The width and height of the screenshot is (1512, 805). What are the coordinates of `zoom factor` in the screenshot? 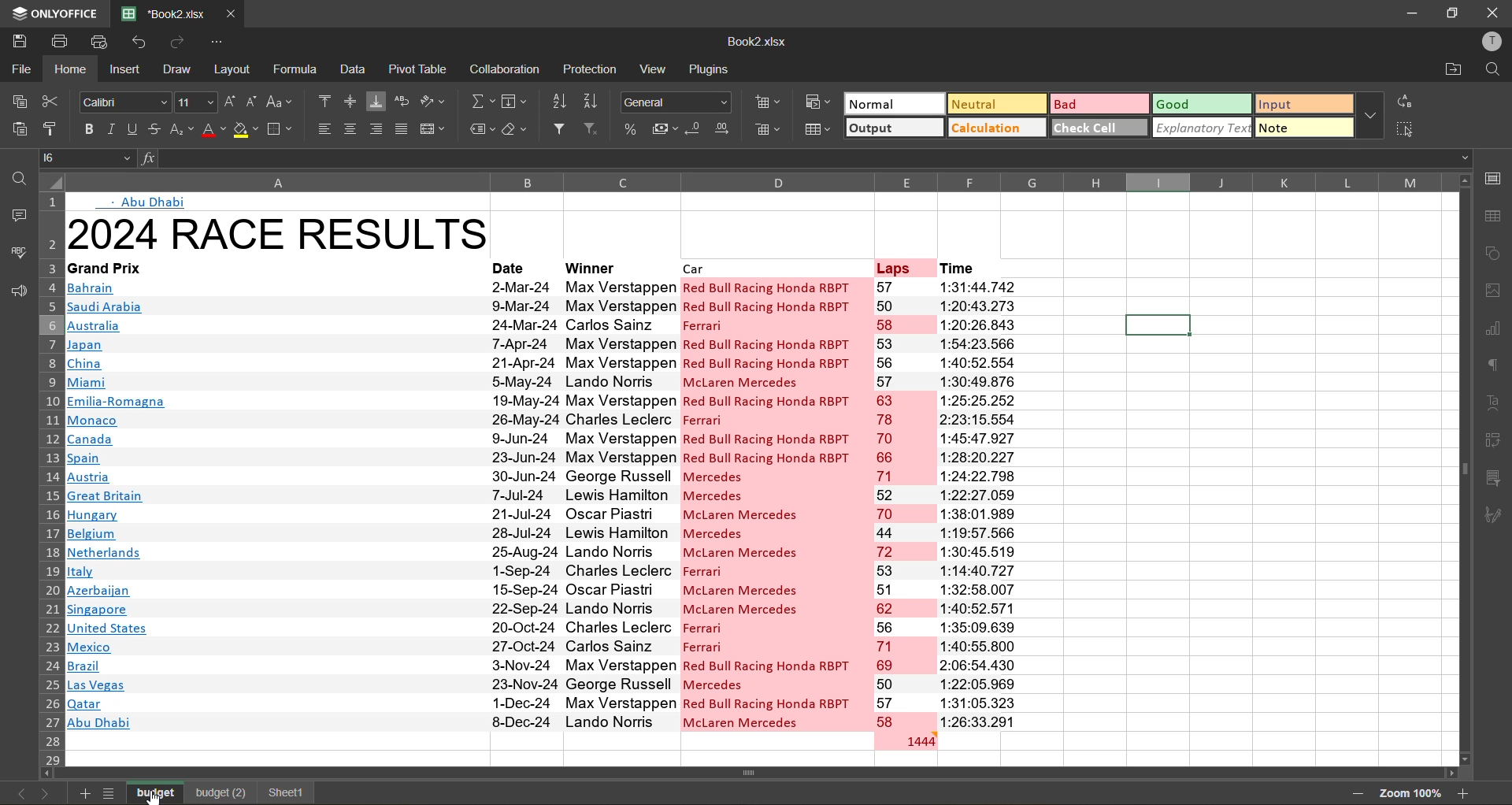 It's located at (1409, 792).